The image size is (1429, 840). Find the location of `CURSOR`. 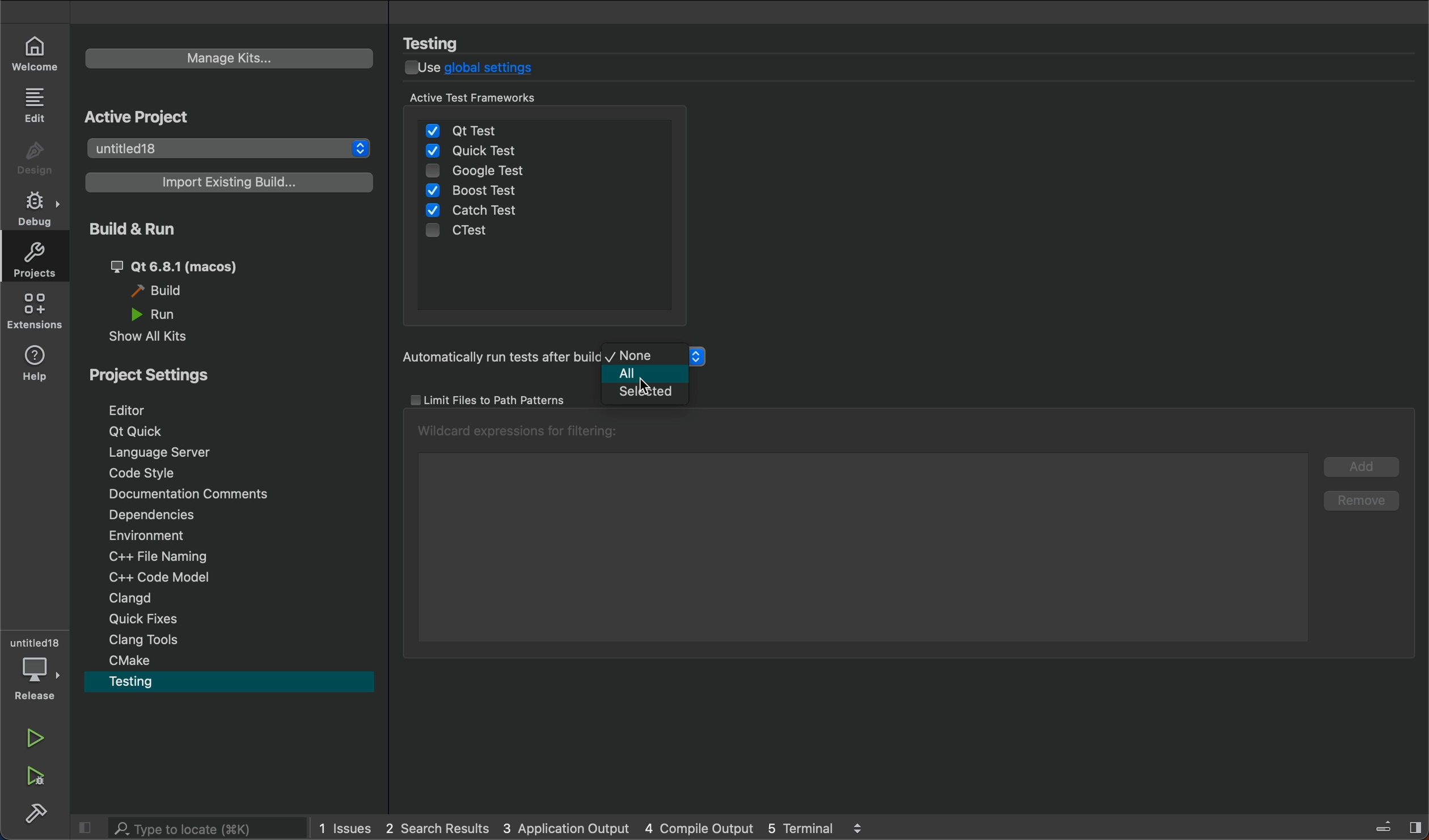

CURSOR is located at coordinates (638, 376).